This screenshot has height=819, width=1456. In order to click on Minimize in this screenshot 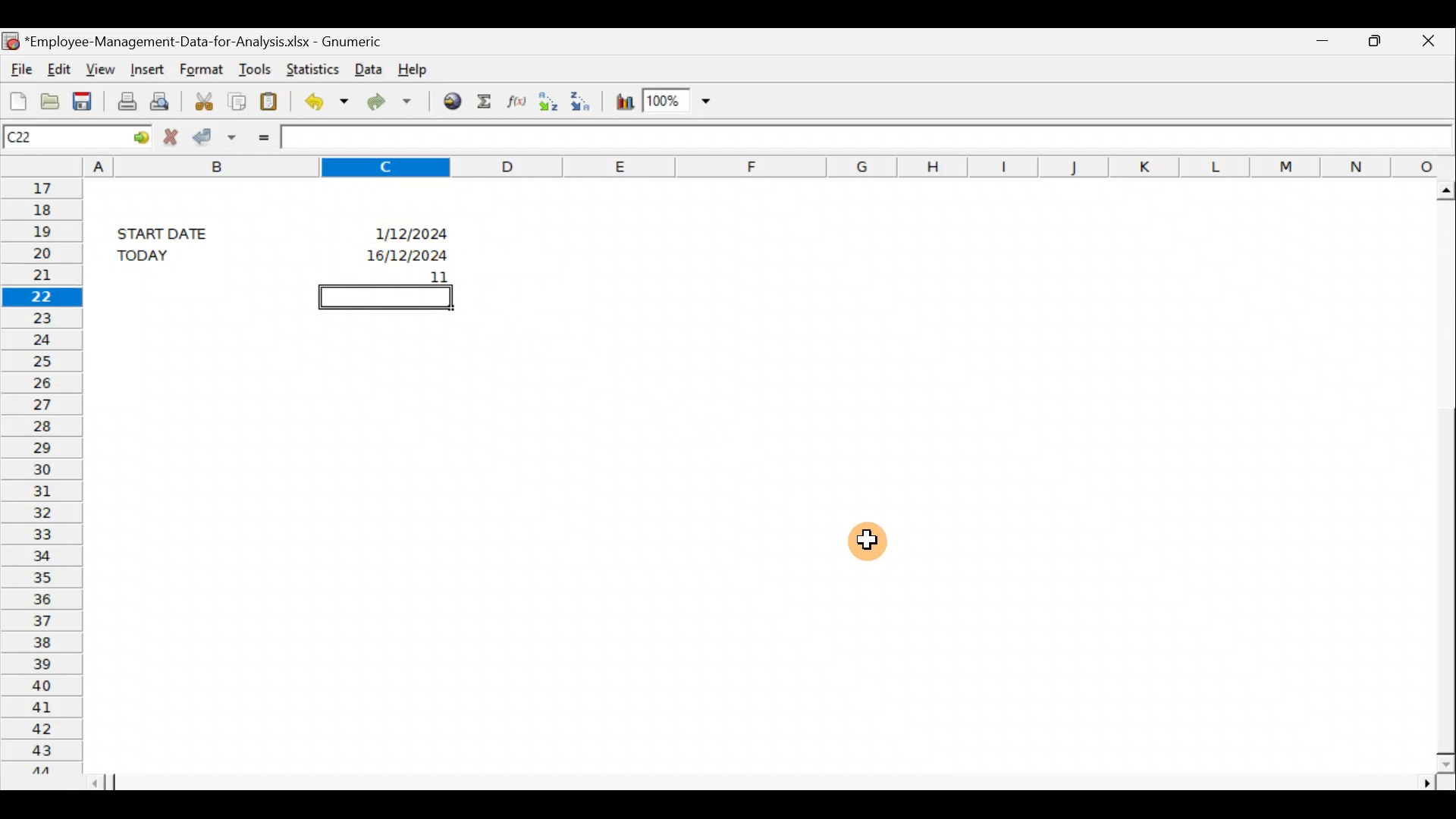, I will do `click(1323, 44)`.